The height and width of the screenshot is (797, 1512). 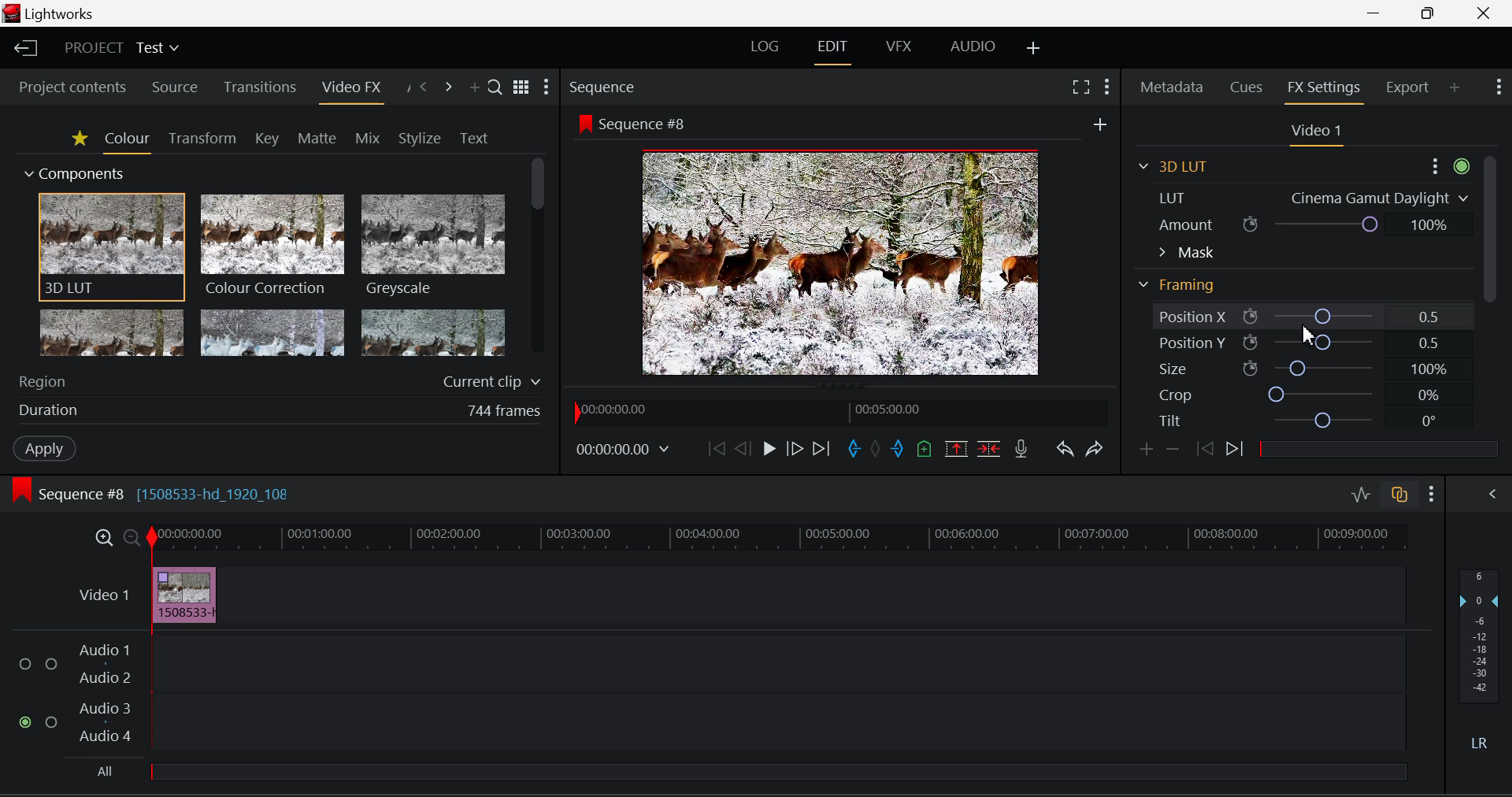 I want to click on Framing Section, so click(x=1180, y=287).